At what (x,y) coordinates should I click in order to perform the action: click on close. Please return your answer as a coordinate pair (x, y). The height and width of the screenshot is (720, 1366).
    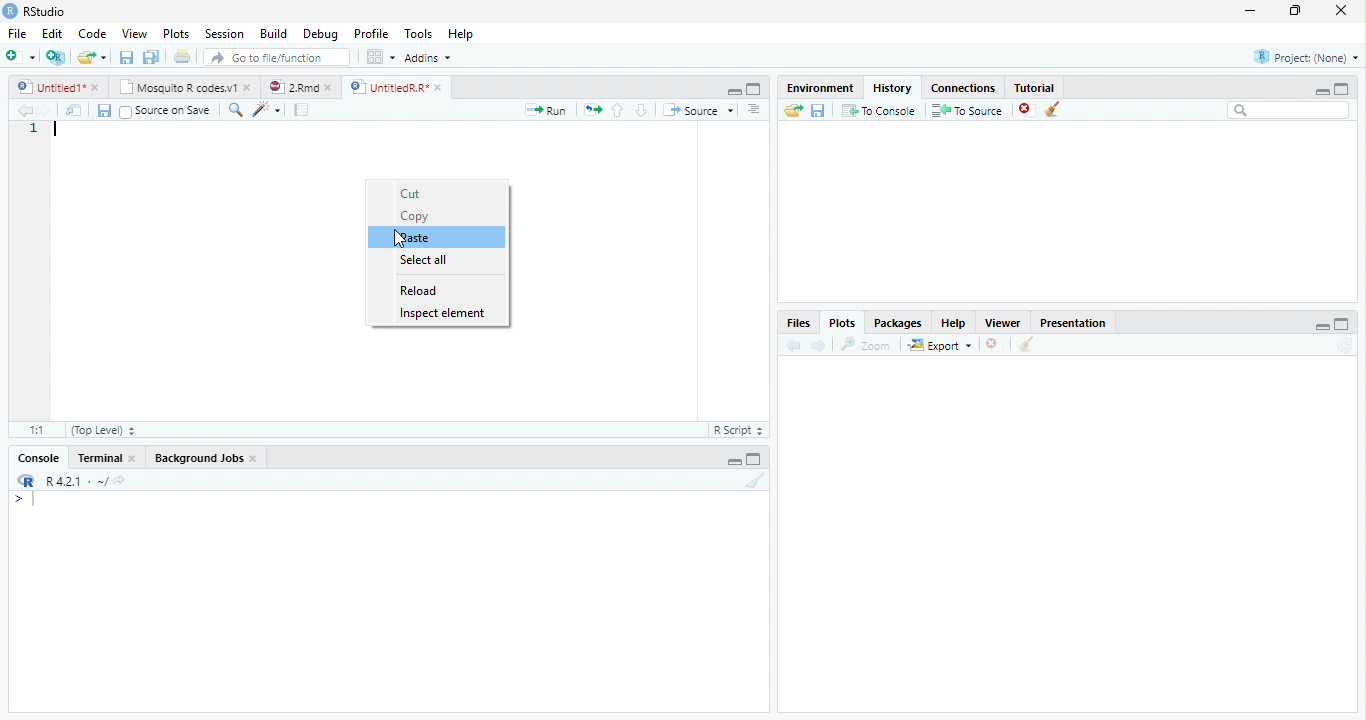
    Looking at the image, I should click on (993, 344).